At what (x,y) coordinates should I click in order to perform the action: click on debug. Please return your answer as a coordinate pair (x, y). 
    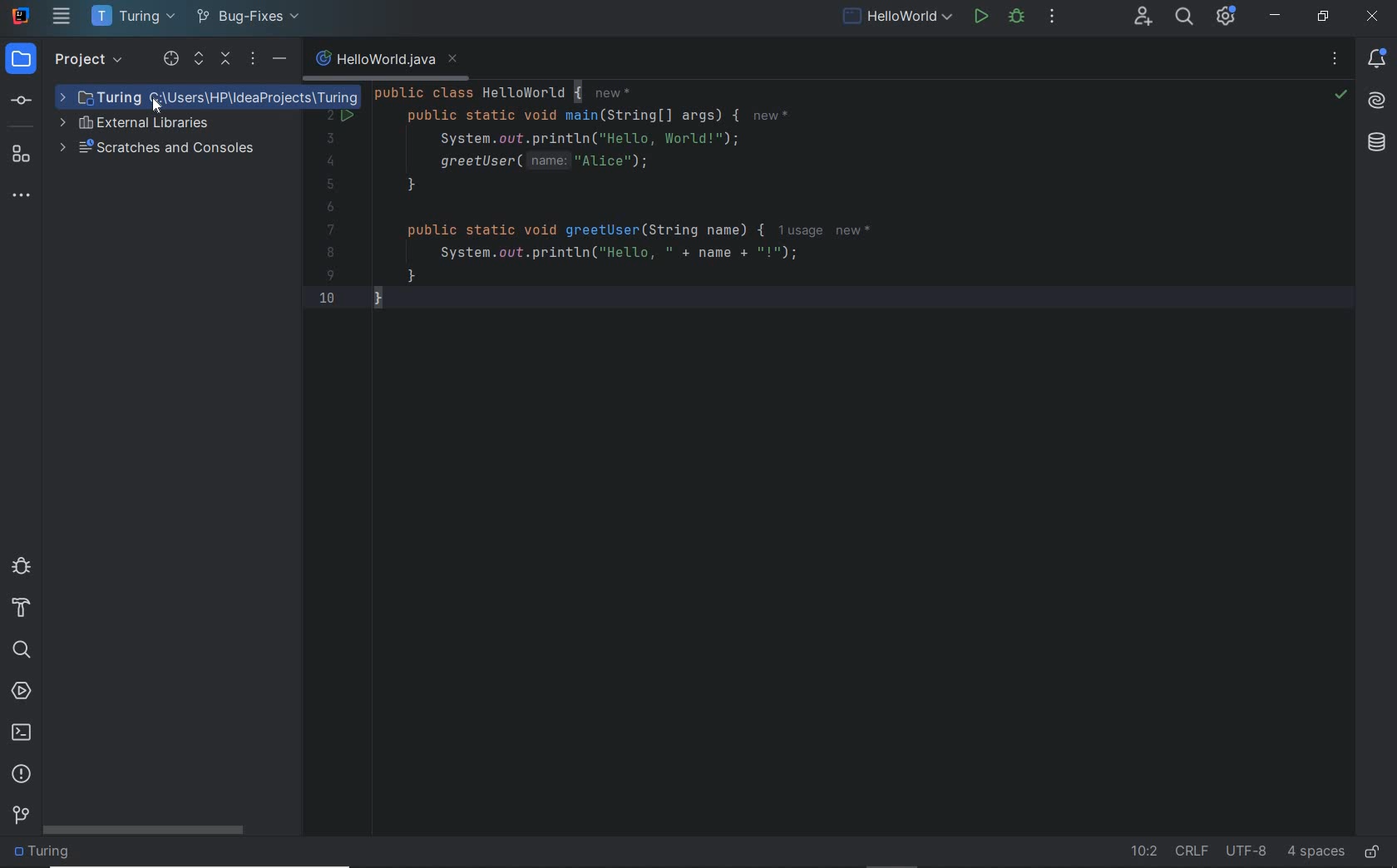
    Looking at the image, I should click on (1016, 18).